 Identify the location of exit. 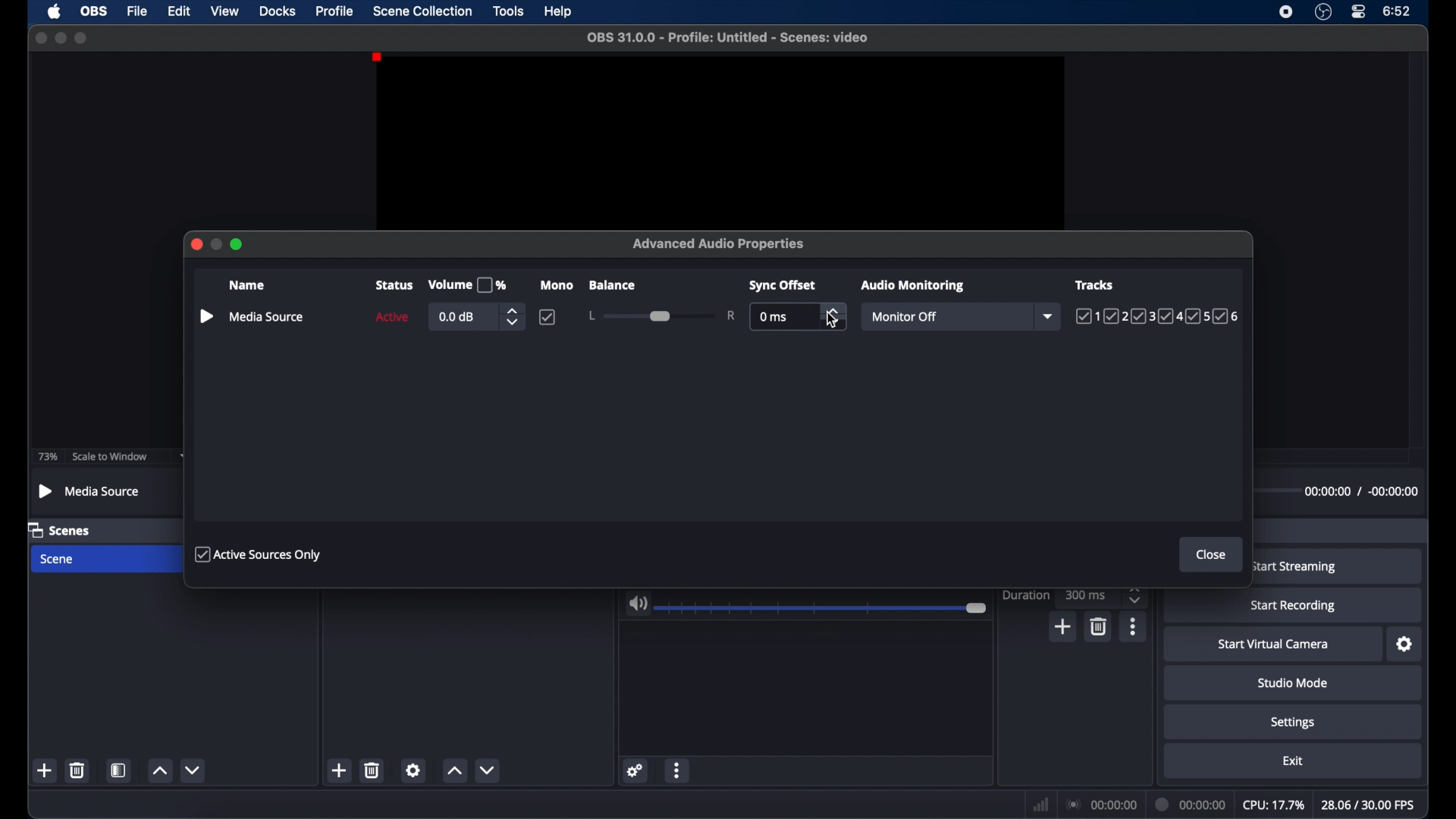
(1293, 762).